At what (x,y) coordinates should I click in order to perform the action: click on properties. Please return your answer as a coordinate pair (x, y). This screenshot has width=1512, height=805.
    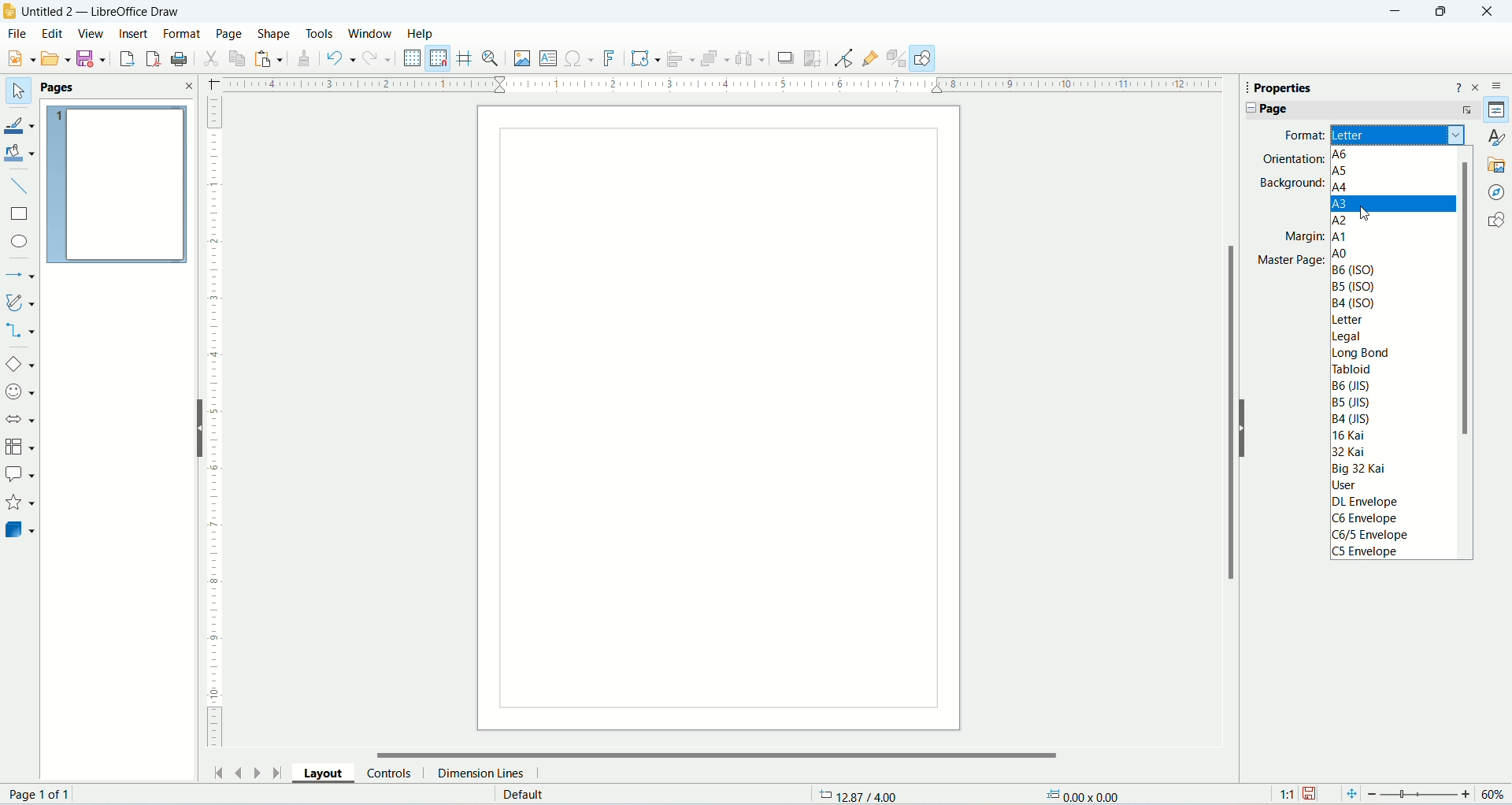
    Looking at the image, I should click on (1307, 87).